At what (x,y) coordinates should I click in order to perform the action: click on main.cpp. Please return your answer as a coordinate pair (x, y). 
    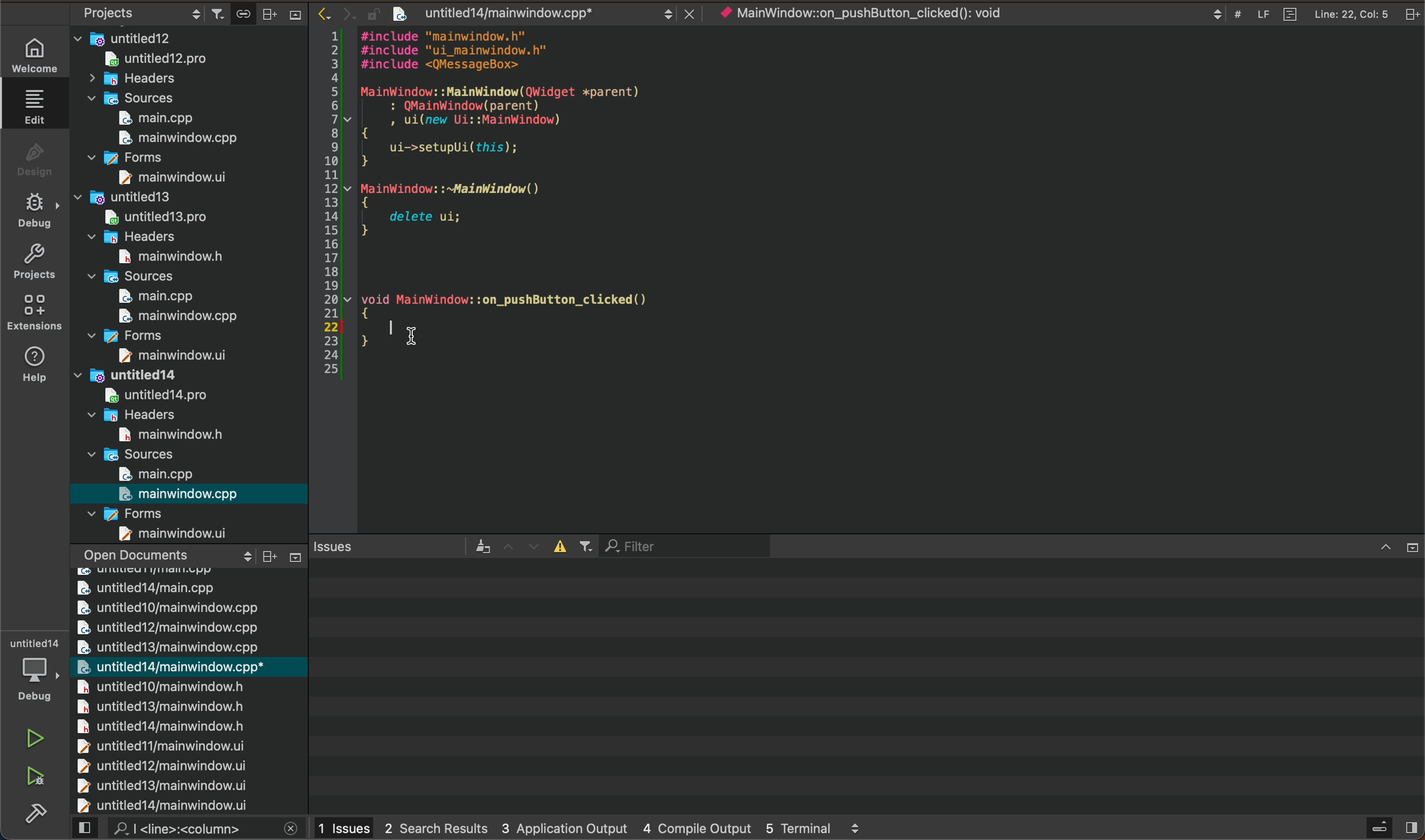
    Looking at the image, I should click on (153, 118).